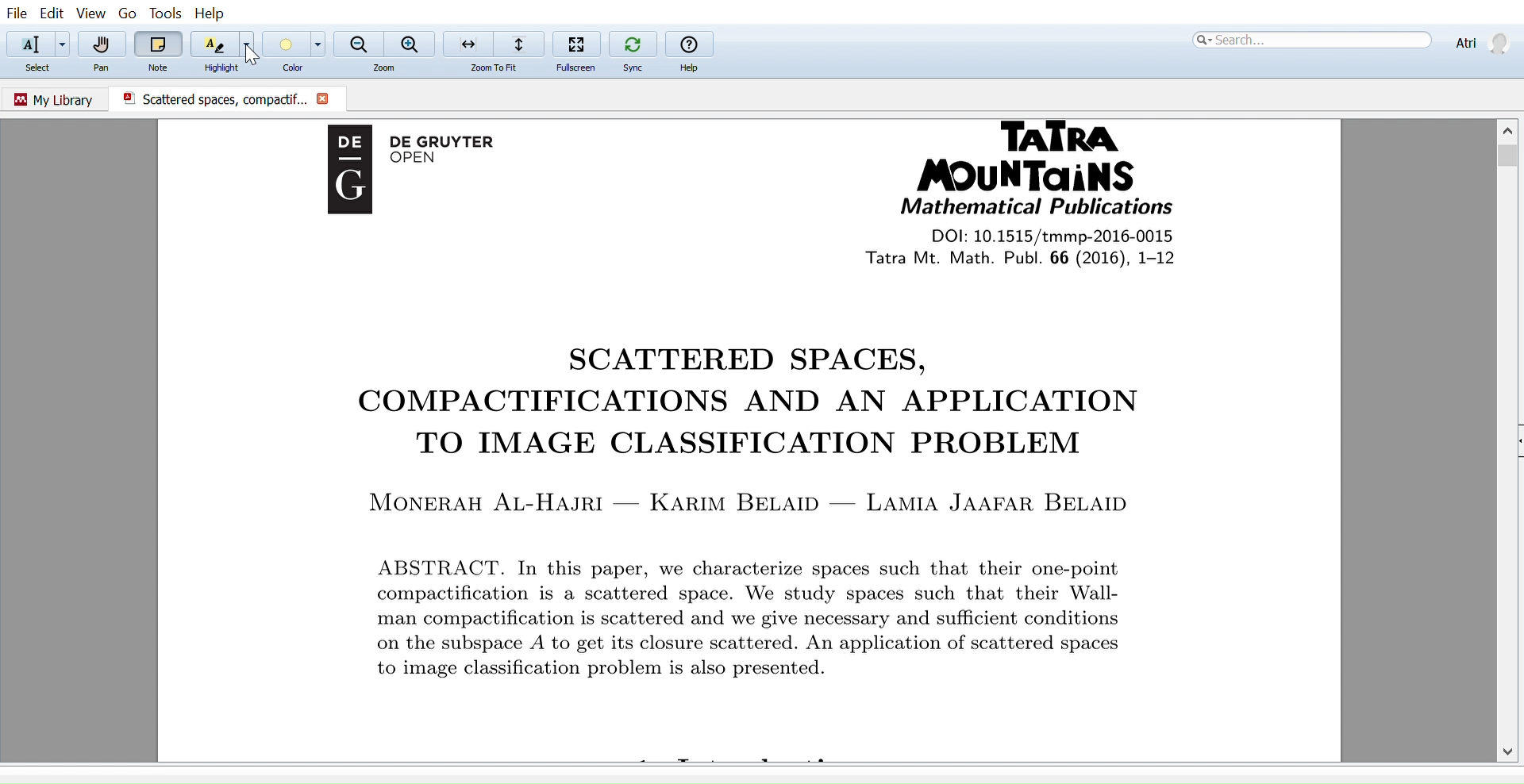  What do you see at coordinates (1046, 235) in the screenshot?
I see `DOI: 10.1515/tmmp-2016-0015` at bounding box center [1046, 235].